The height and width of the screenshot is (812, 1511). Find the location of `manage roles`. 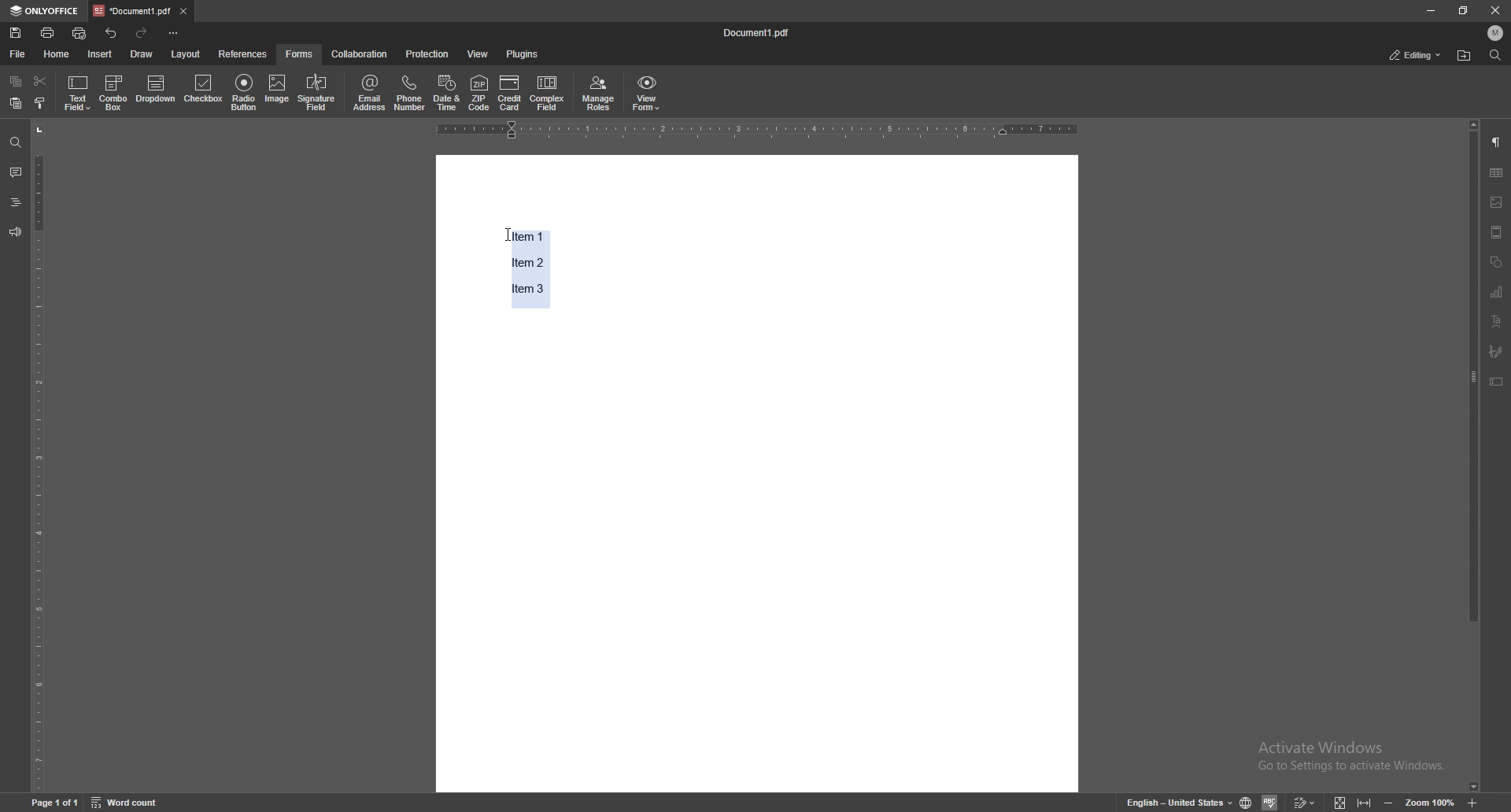

manage roles is located at coordinates (599, 94).